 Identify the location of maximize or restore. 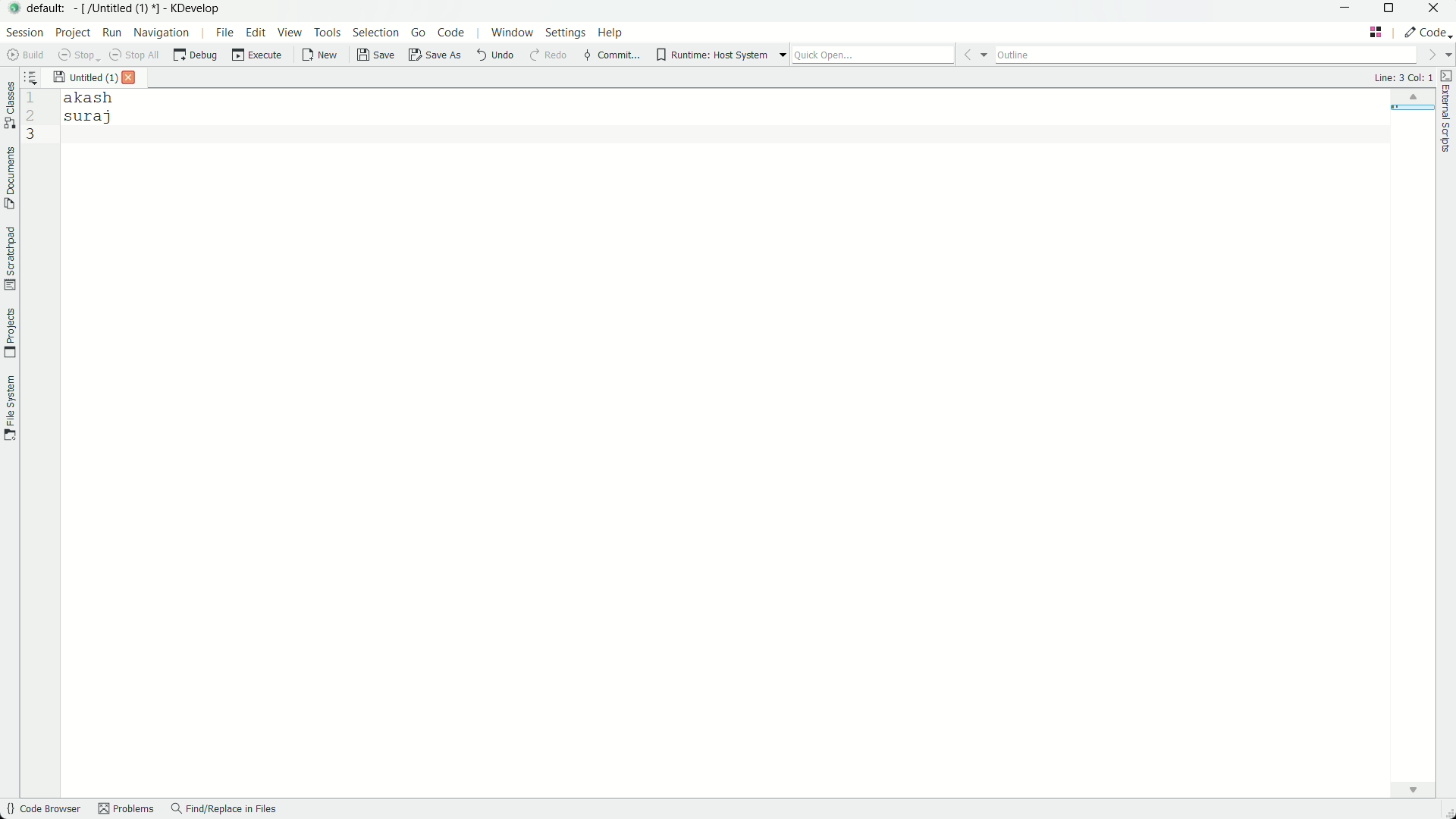
(1391, 11).